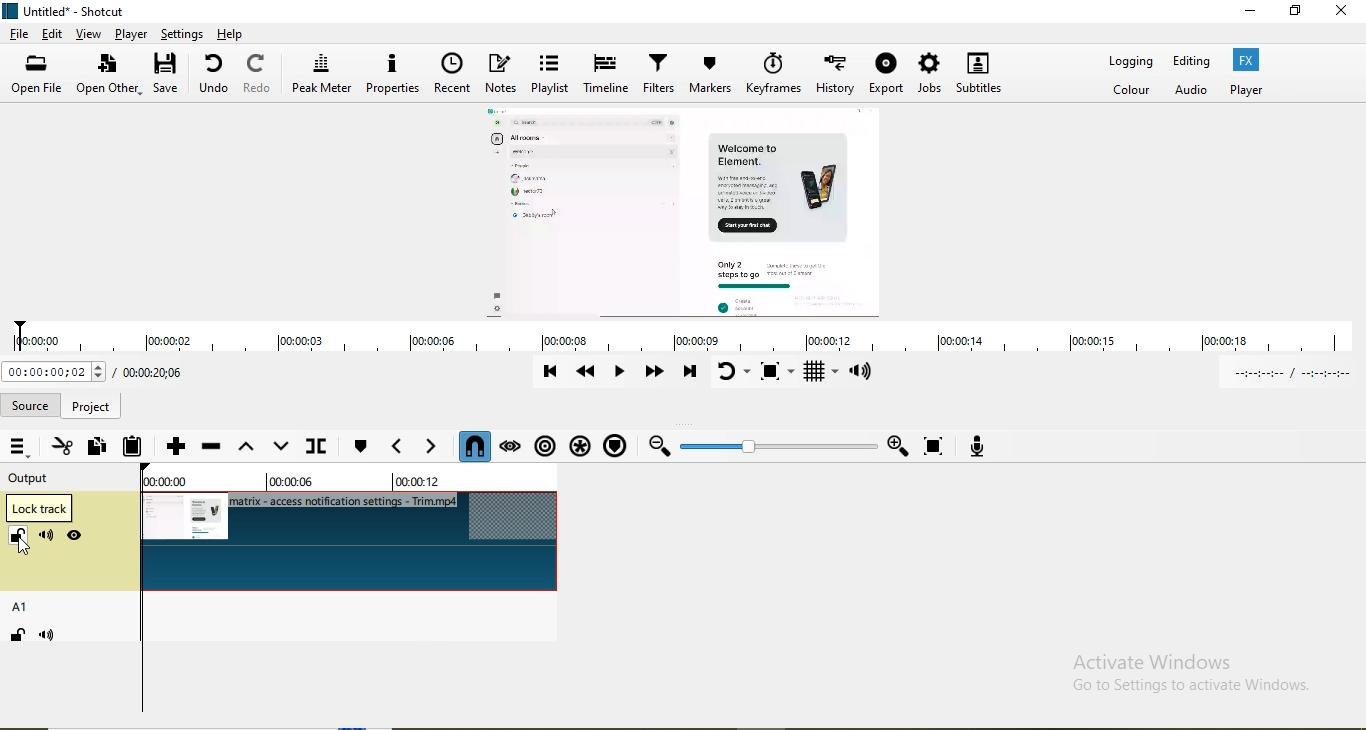 The height and width of the screenshot is (730, 1366). I want to click on lock track, so click(39, 509).